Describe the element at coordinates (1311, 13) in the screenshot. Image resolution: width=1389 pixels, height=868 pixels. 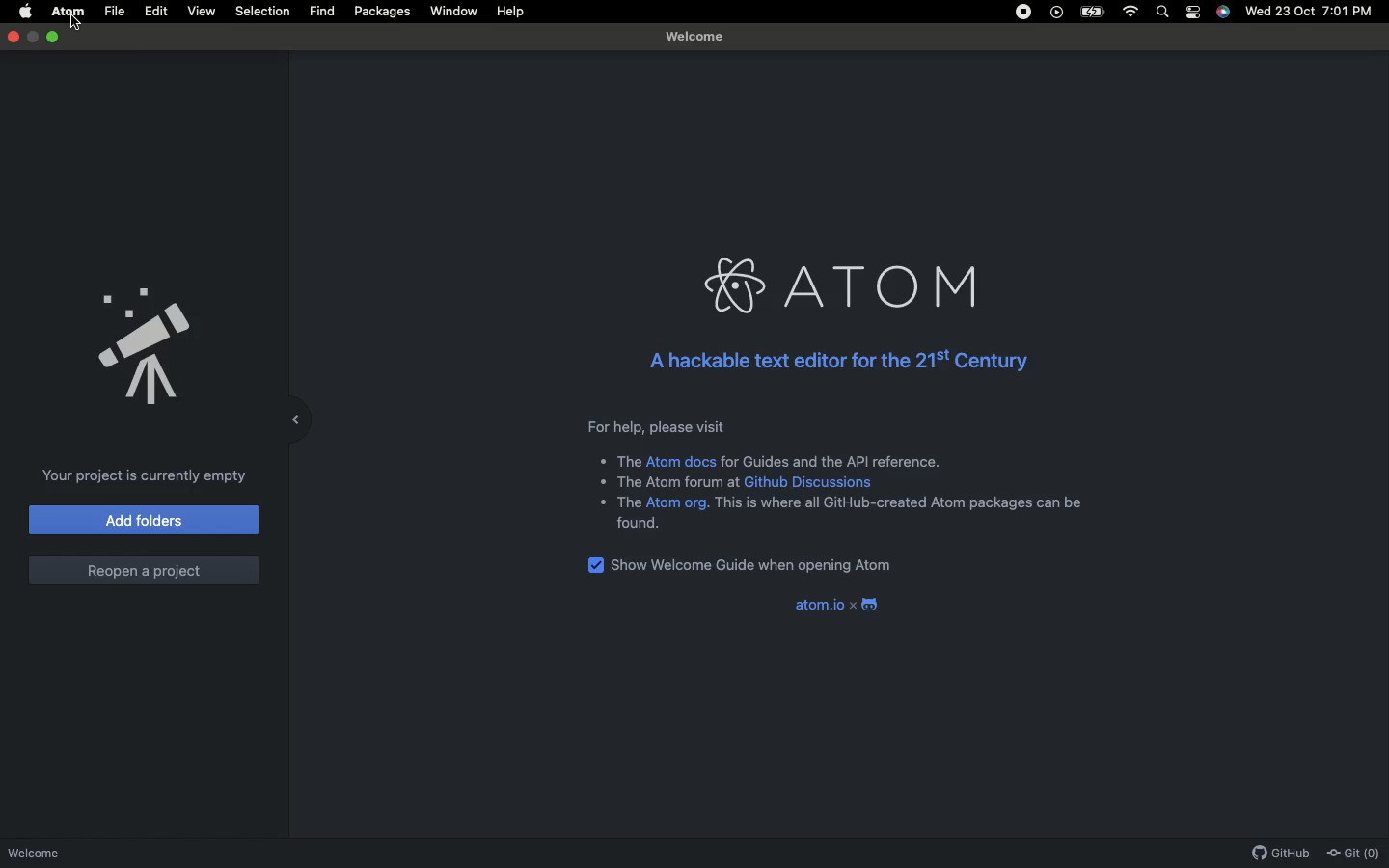
I see `Wed 23 Oct 7:01 PM` at that location.